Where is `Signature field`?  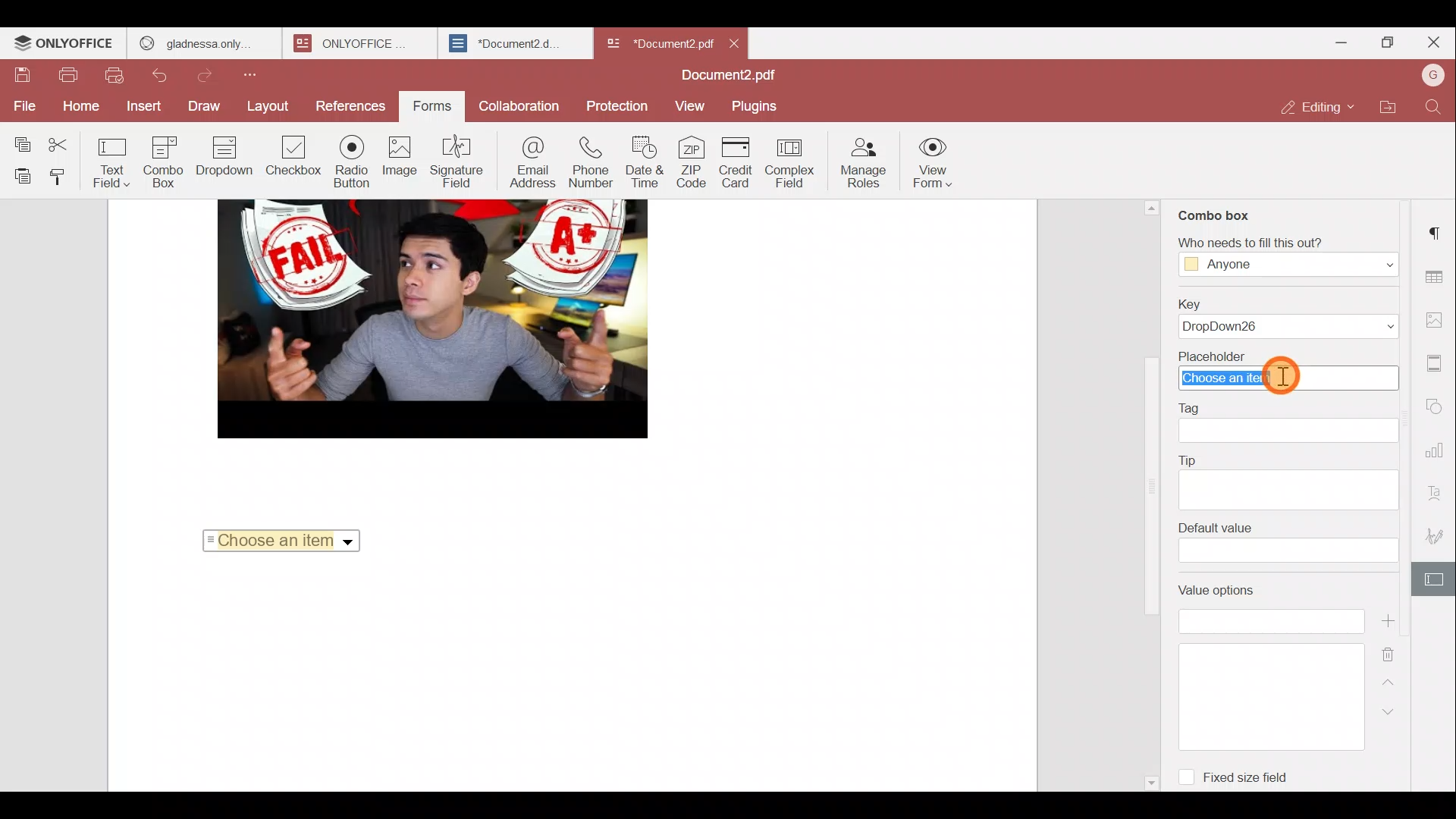
Signature field is located at coordinates (457, 161).